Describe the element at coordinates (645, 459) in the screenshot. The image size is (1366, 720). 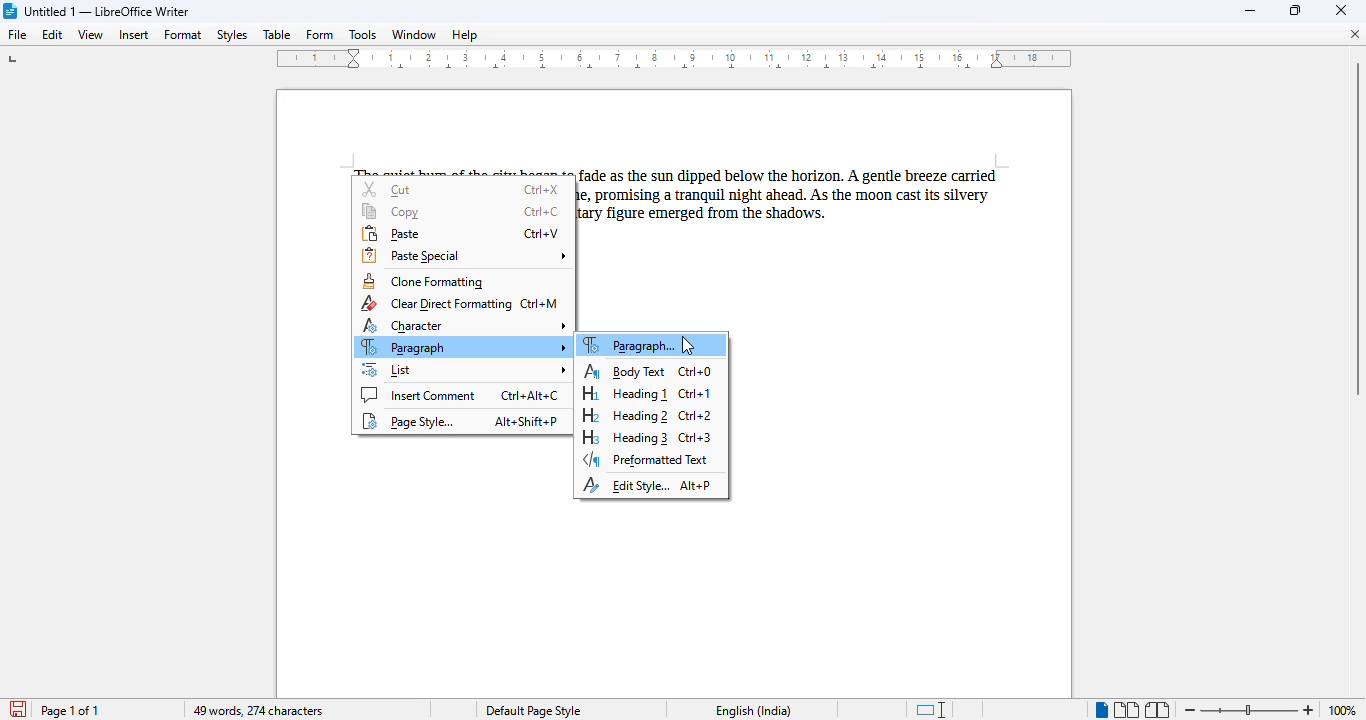
I see `preformatted text` at that location.